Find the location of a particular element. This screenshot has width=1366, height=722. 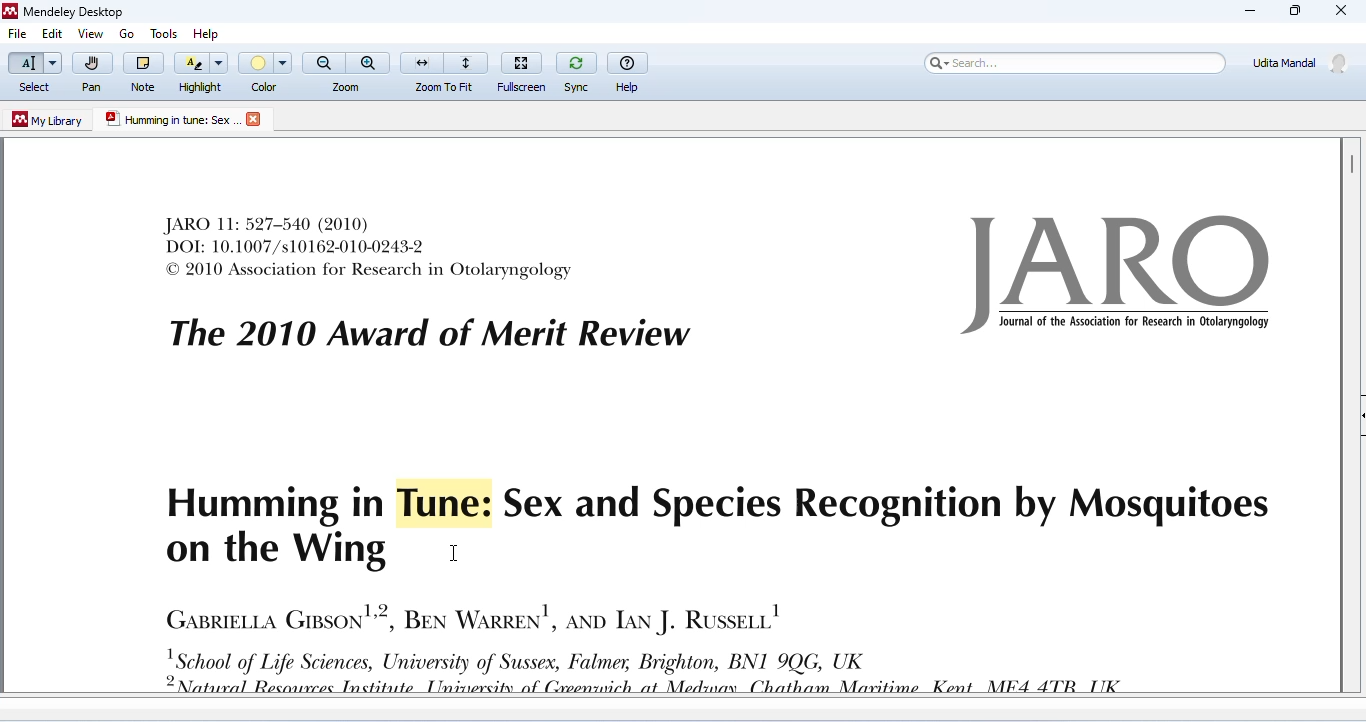

Tune Highlighted text is located at coordinates (436, 502).